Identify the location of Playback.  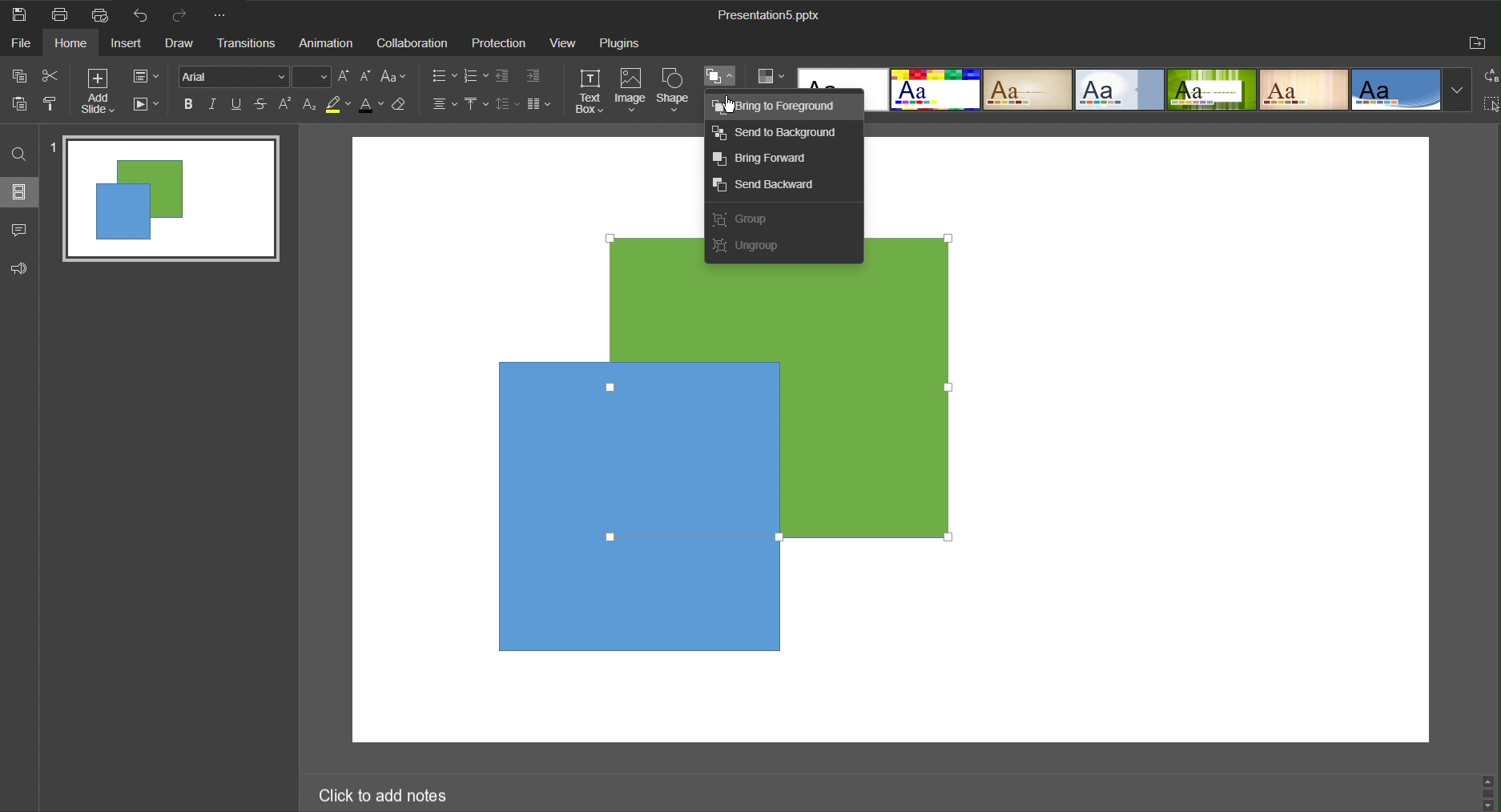
(147, 106).